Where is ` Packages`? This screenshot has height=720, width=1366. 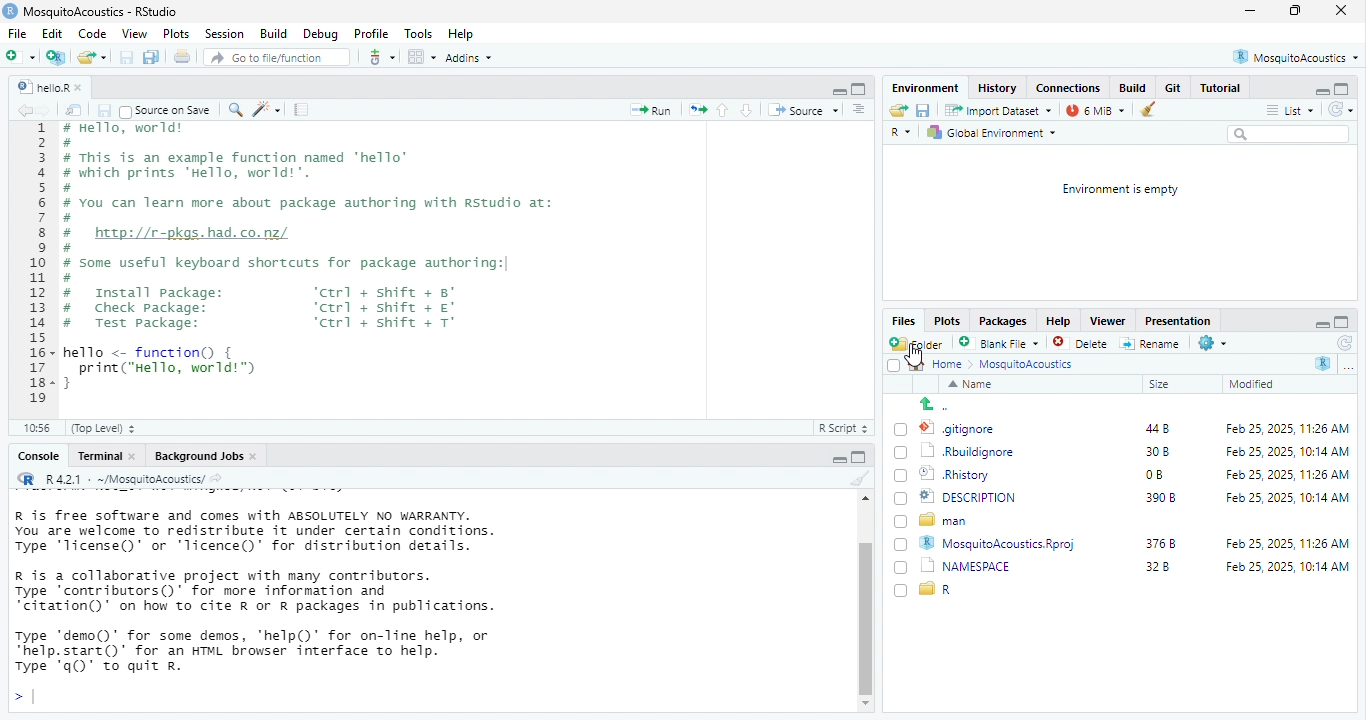
 Packages is located at coordinates (1004, 320).